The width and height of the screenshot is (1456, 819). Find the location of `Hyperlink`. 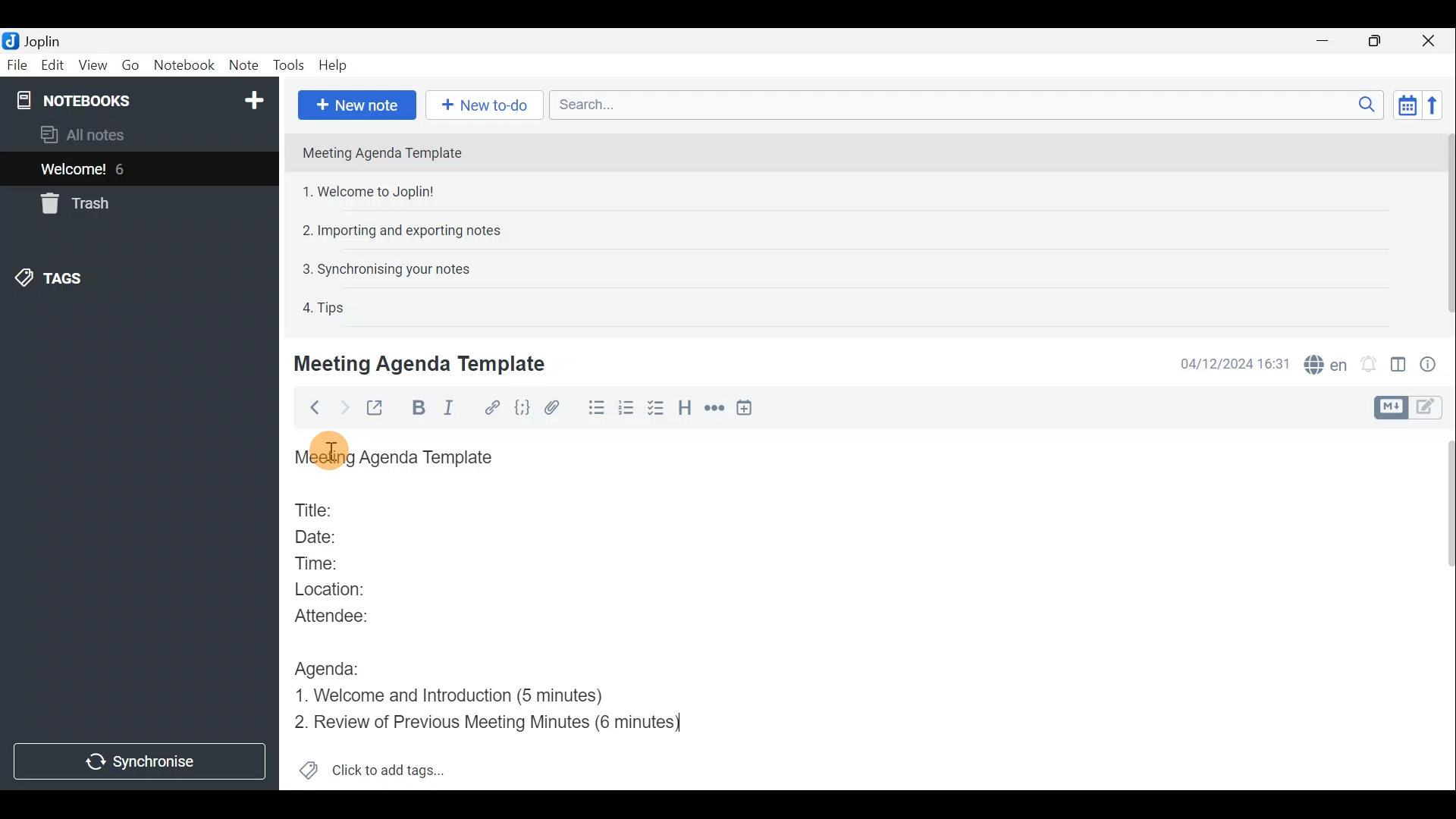

Hyperlink is located at coordinates (494, 407).